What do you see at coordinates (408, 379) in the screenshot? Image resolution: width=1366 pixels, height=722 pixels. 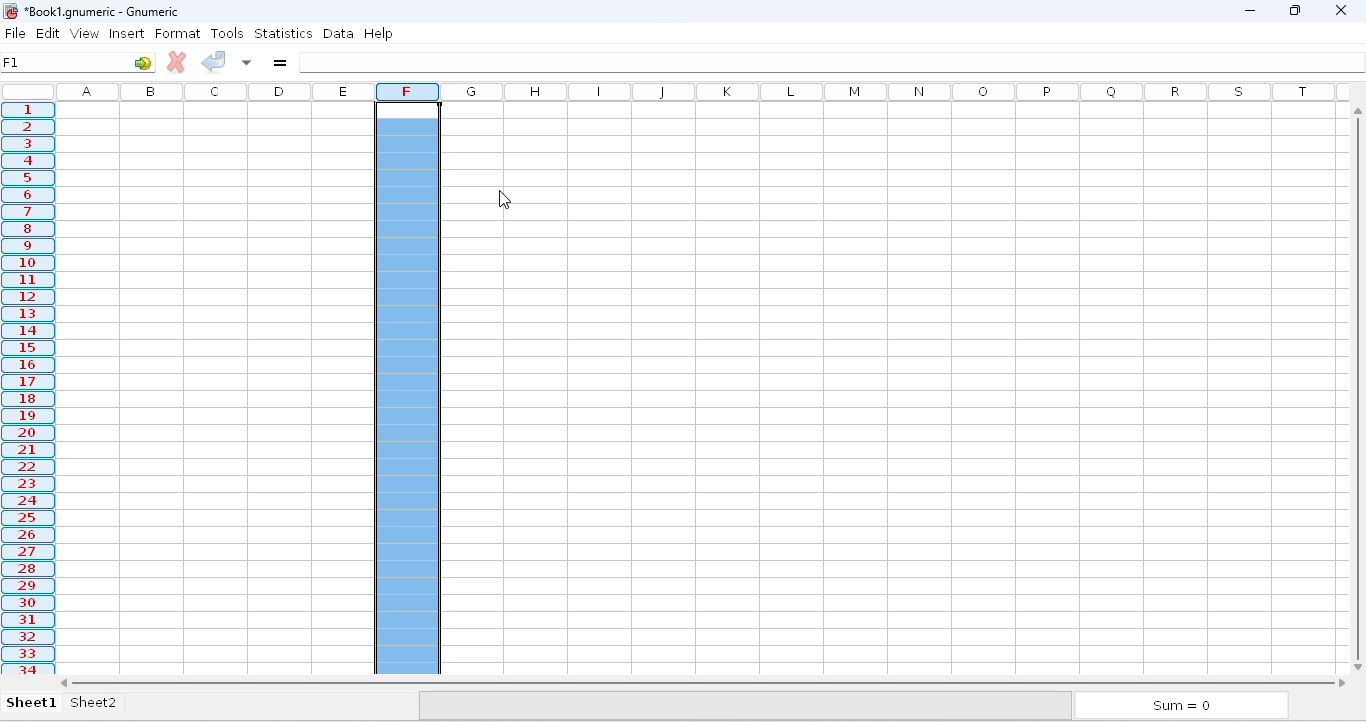 I see `page break added to the left column F1` at bounding box center [408, 379].